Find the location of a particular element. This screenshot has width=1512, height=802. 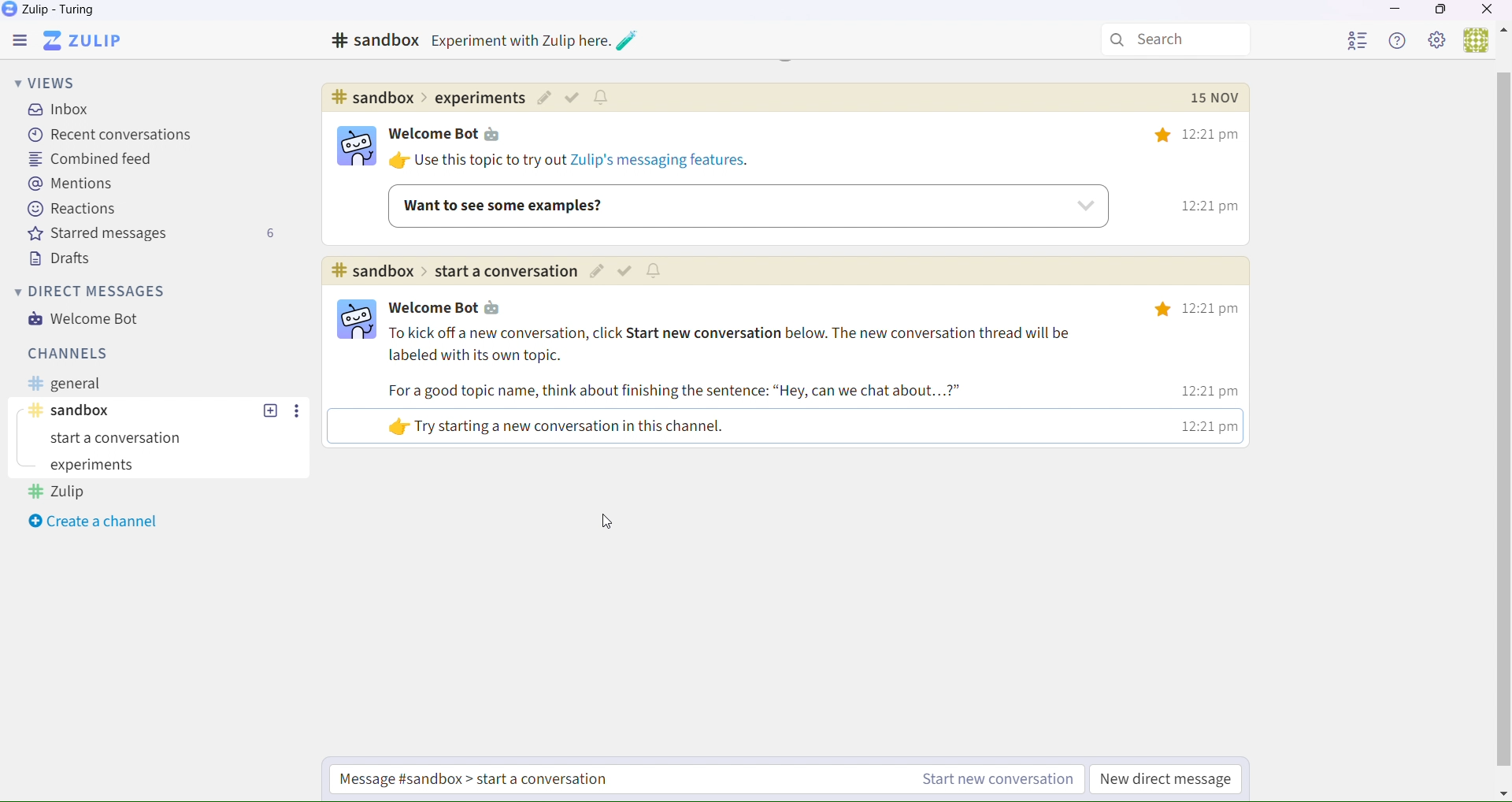

Box is located at coordinates (1442, 13).